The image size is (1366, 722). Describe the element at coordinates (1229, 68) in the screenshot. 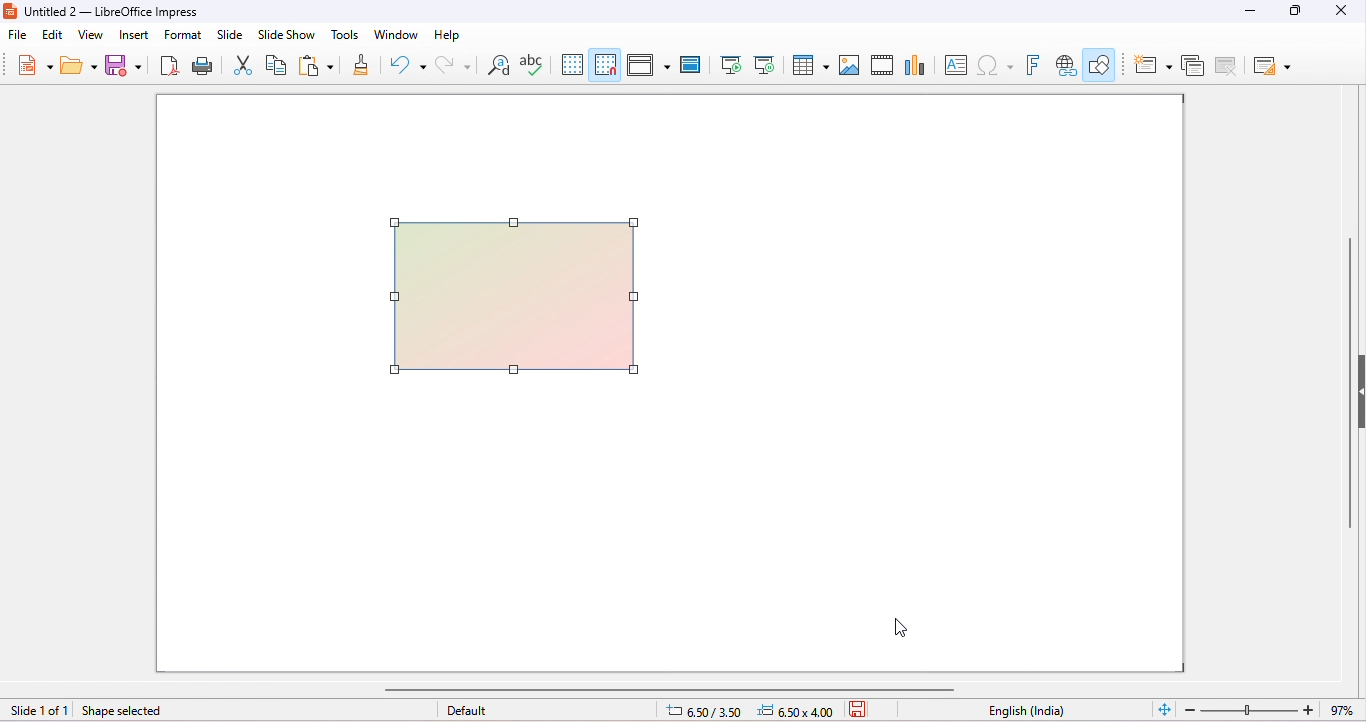

I see `delete slide` at that location.